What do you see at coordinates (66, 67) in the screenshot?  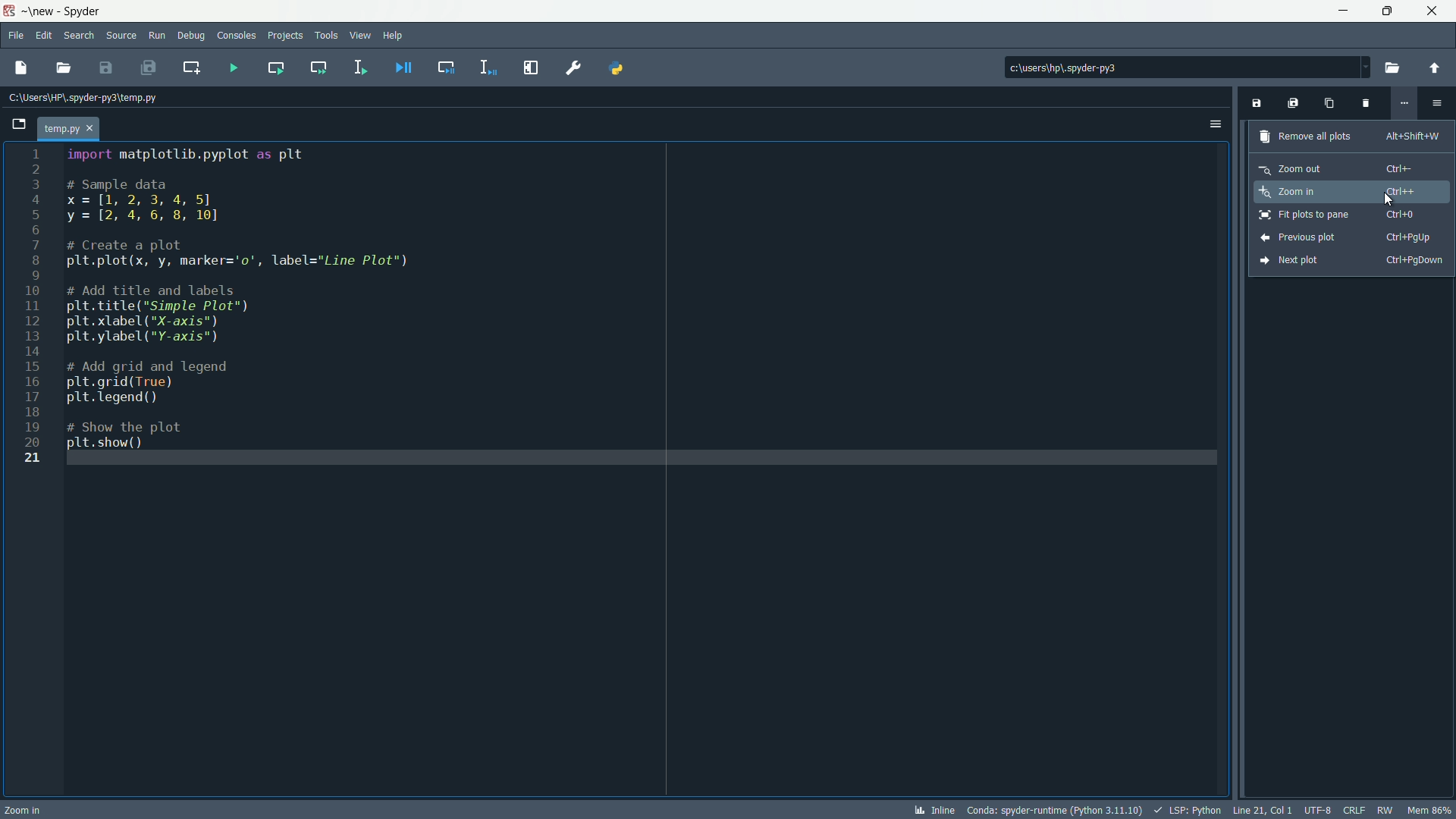 I see `open file` at bounding box center [66, 67].